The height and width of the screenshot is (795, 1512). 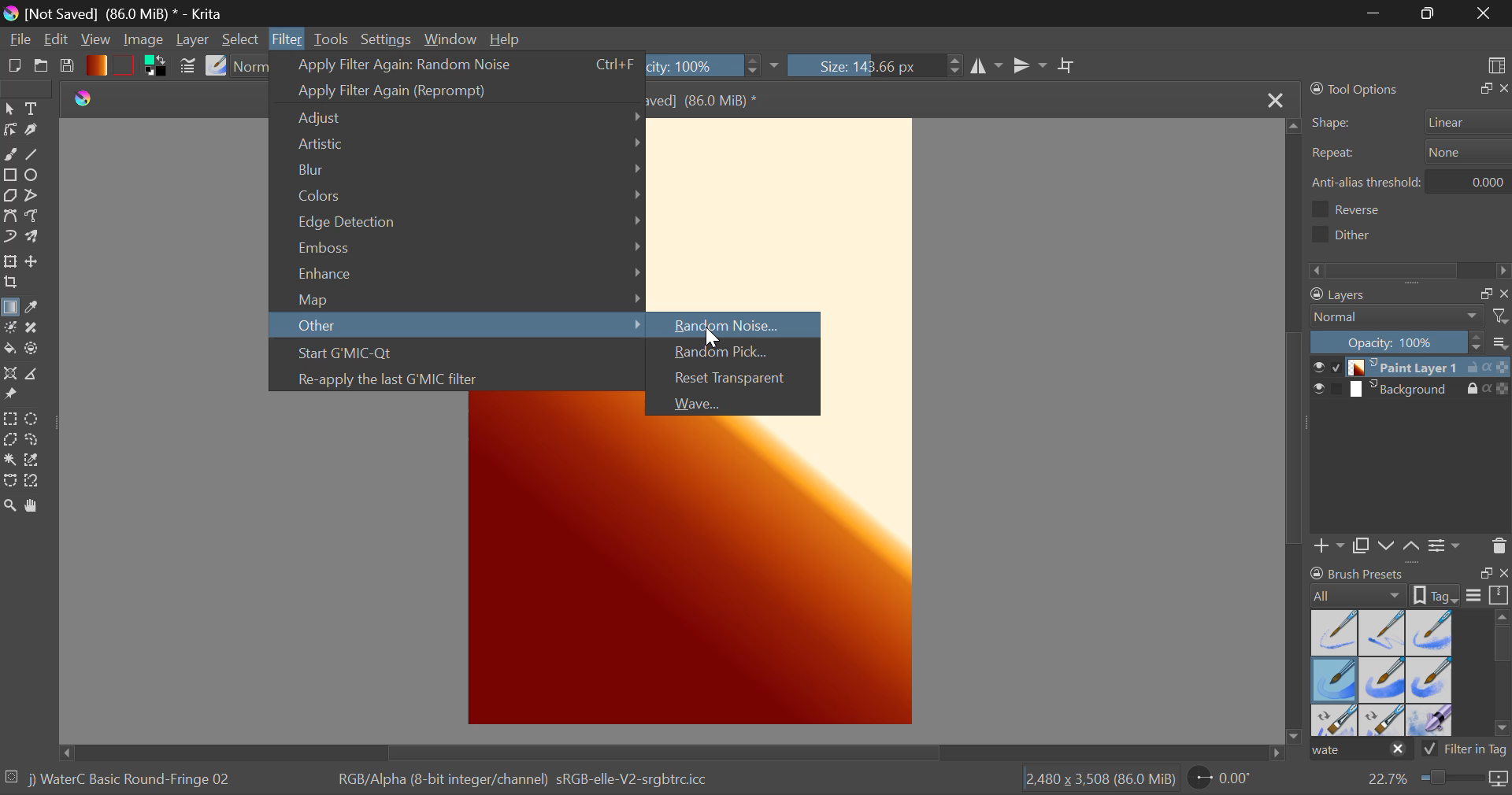 I want to click on Anti-alias threshhold:, so click(x=1367, y=182).